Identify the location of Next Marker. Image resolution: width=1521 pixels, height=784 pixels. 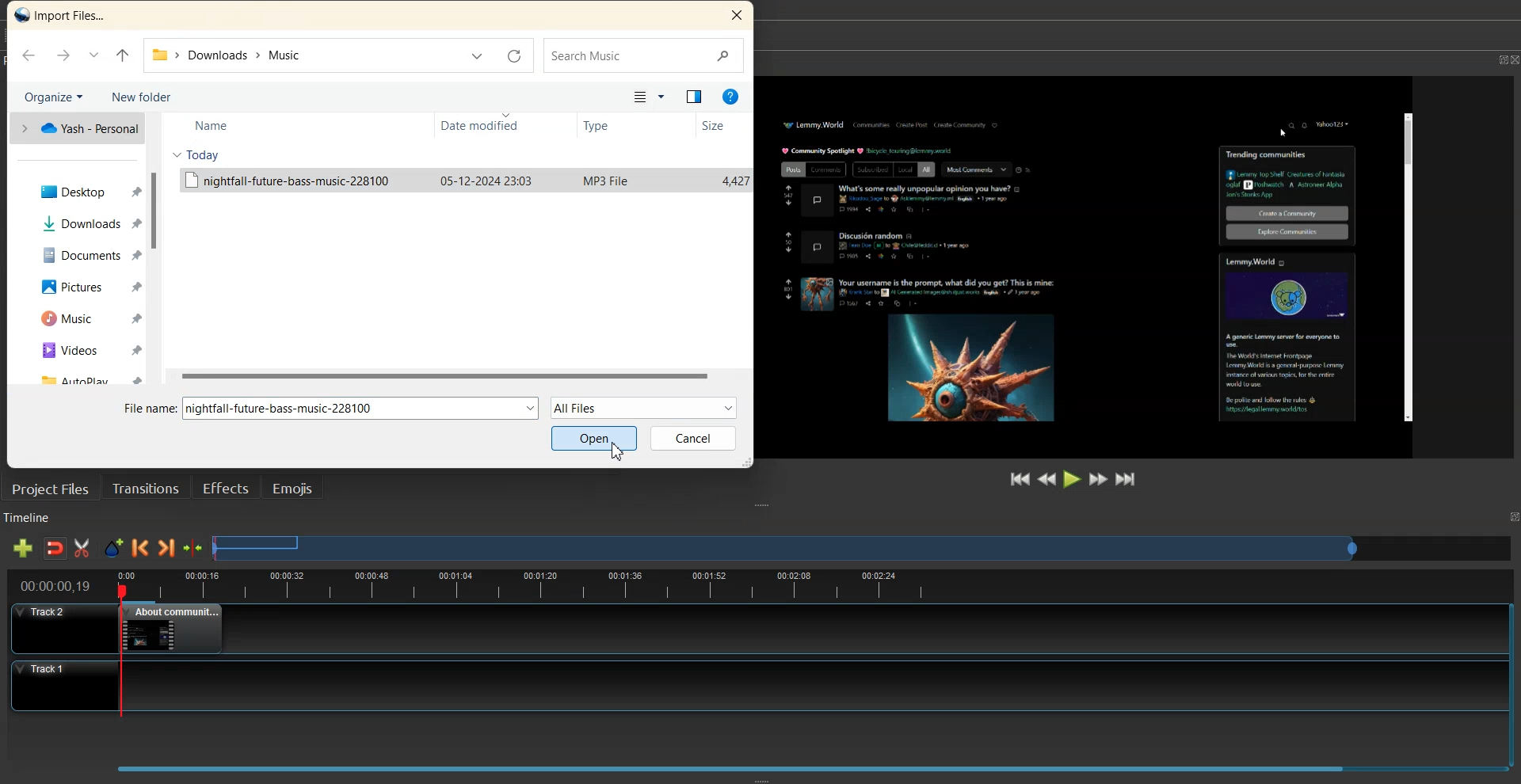
(167, 547).